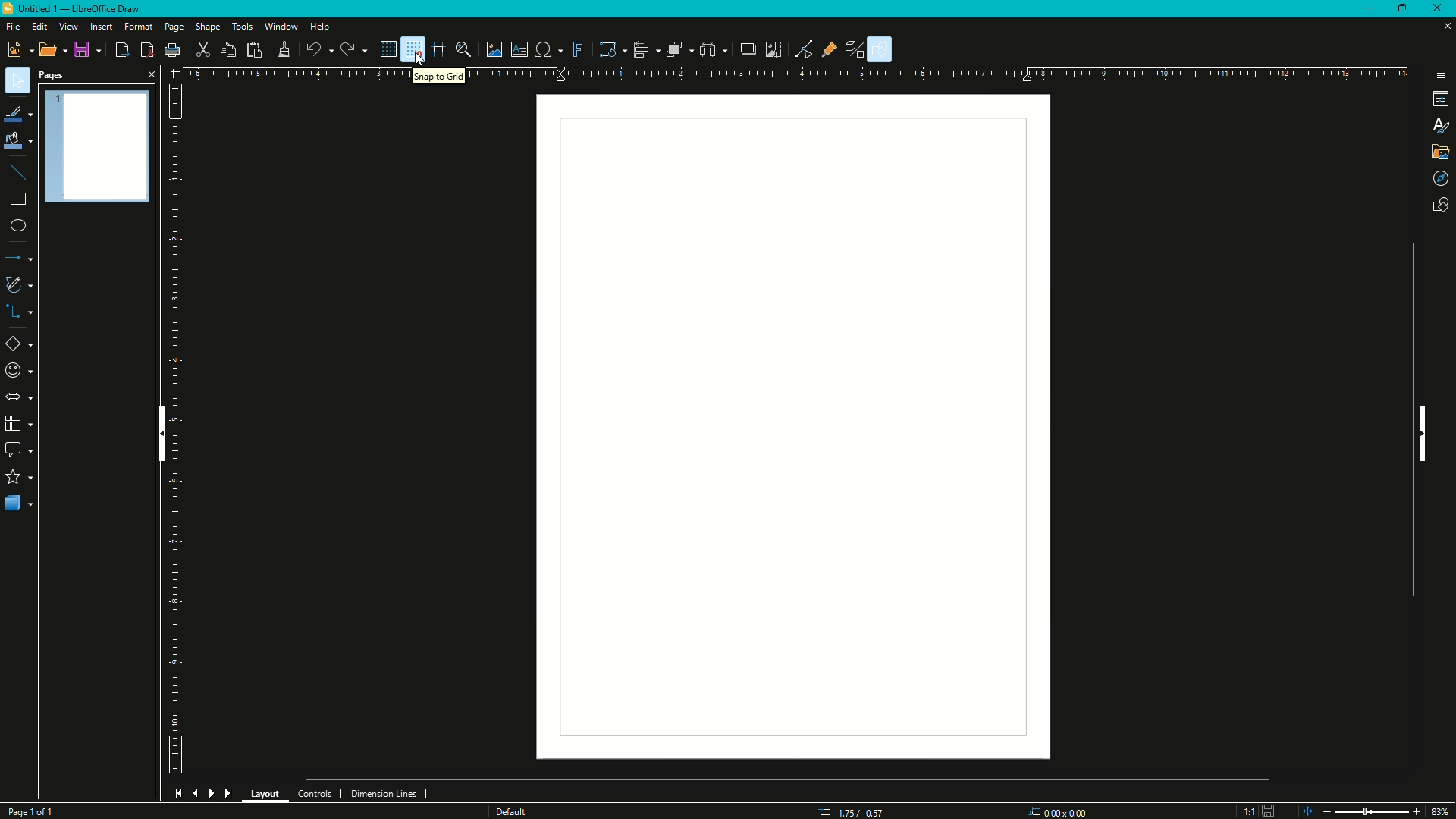 Image resolution: width=1456 pixels, height=819 pixels. I want to click on Select three objects, so click(709, 51).